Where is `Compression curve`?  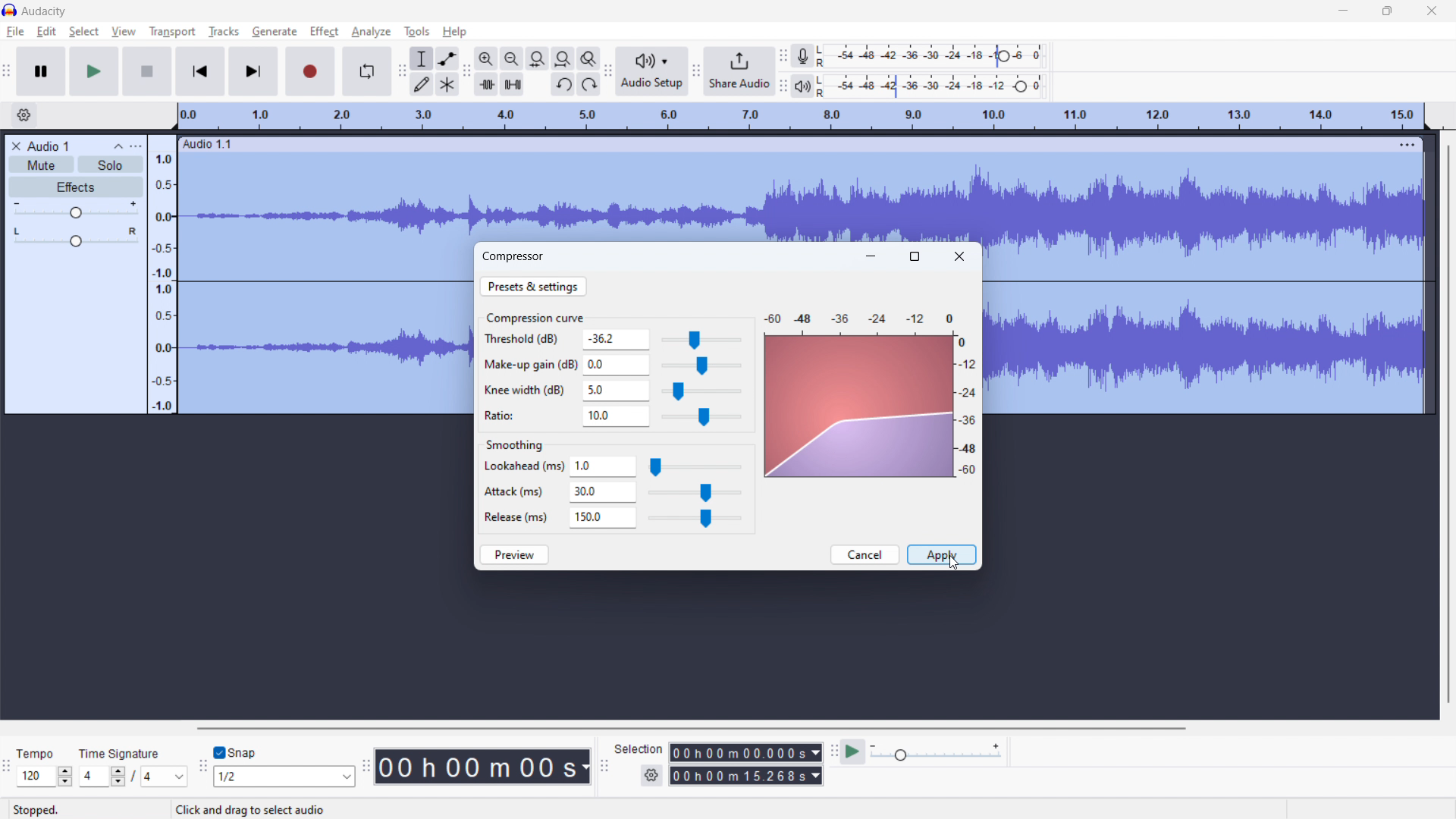
Compression curve is located at coordinates (535, 317).